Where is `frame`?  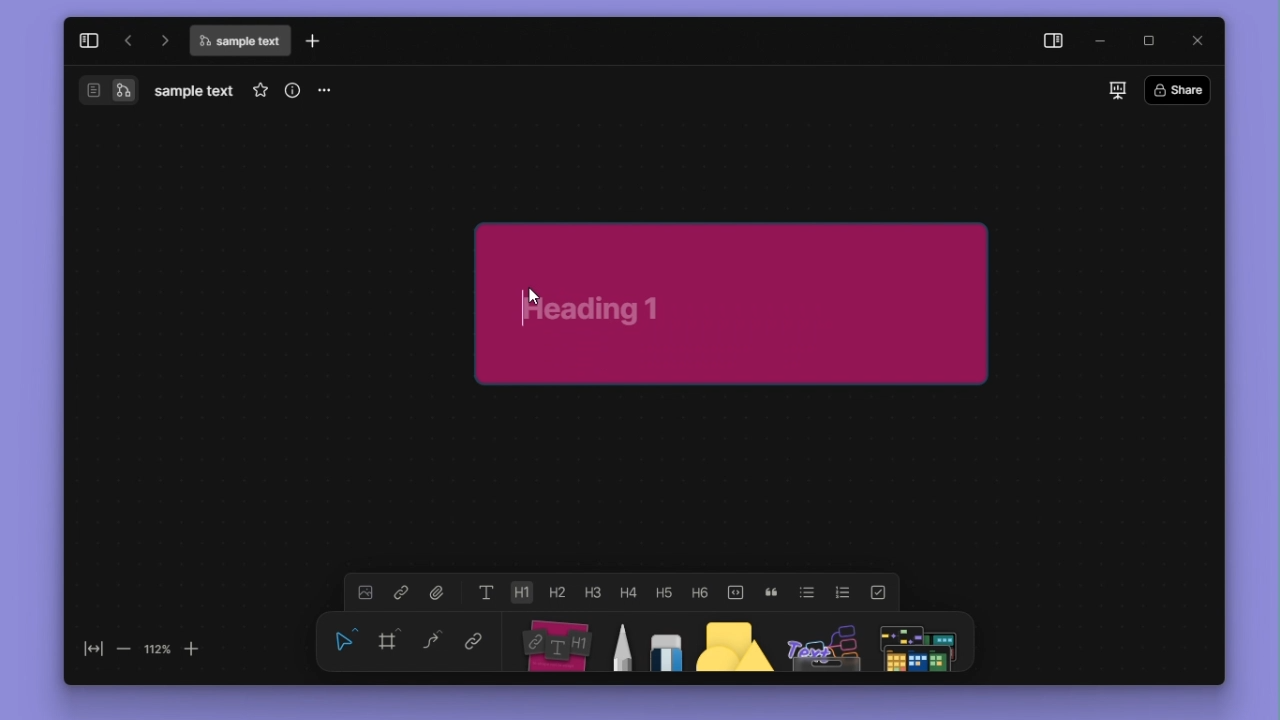 frame is located at coordinates (388, 639).